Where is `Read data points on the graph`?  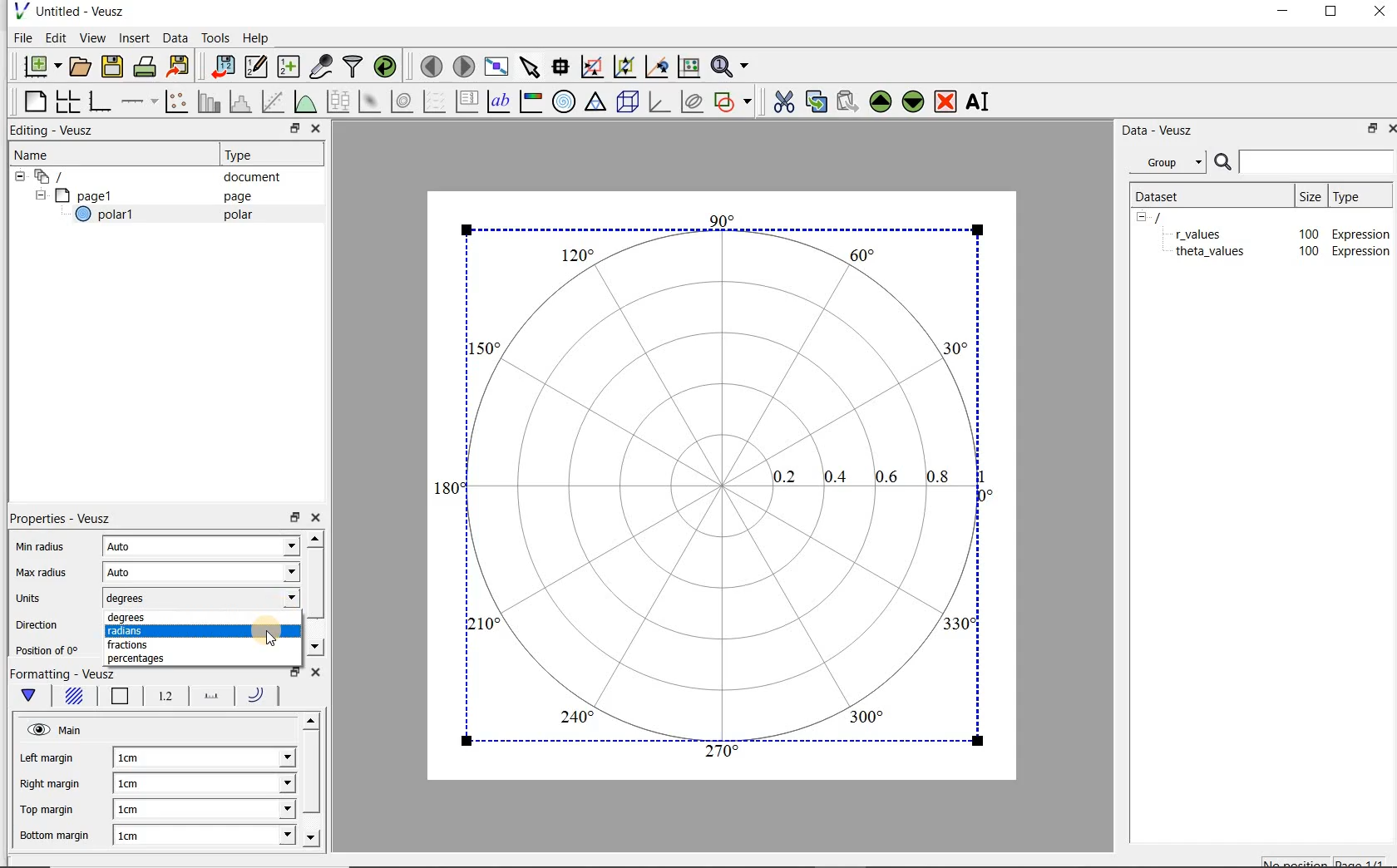 Read data points on the graph is located at coordinates (563, 67).